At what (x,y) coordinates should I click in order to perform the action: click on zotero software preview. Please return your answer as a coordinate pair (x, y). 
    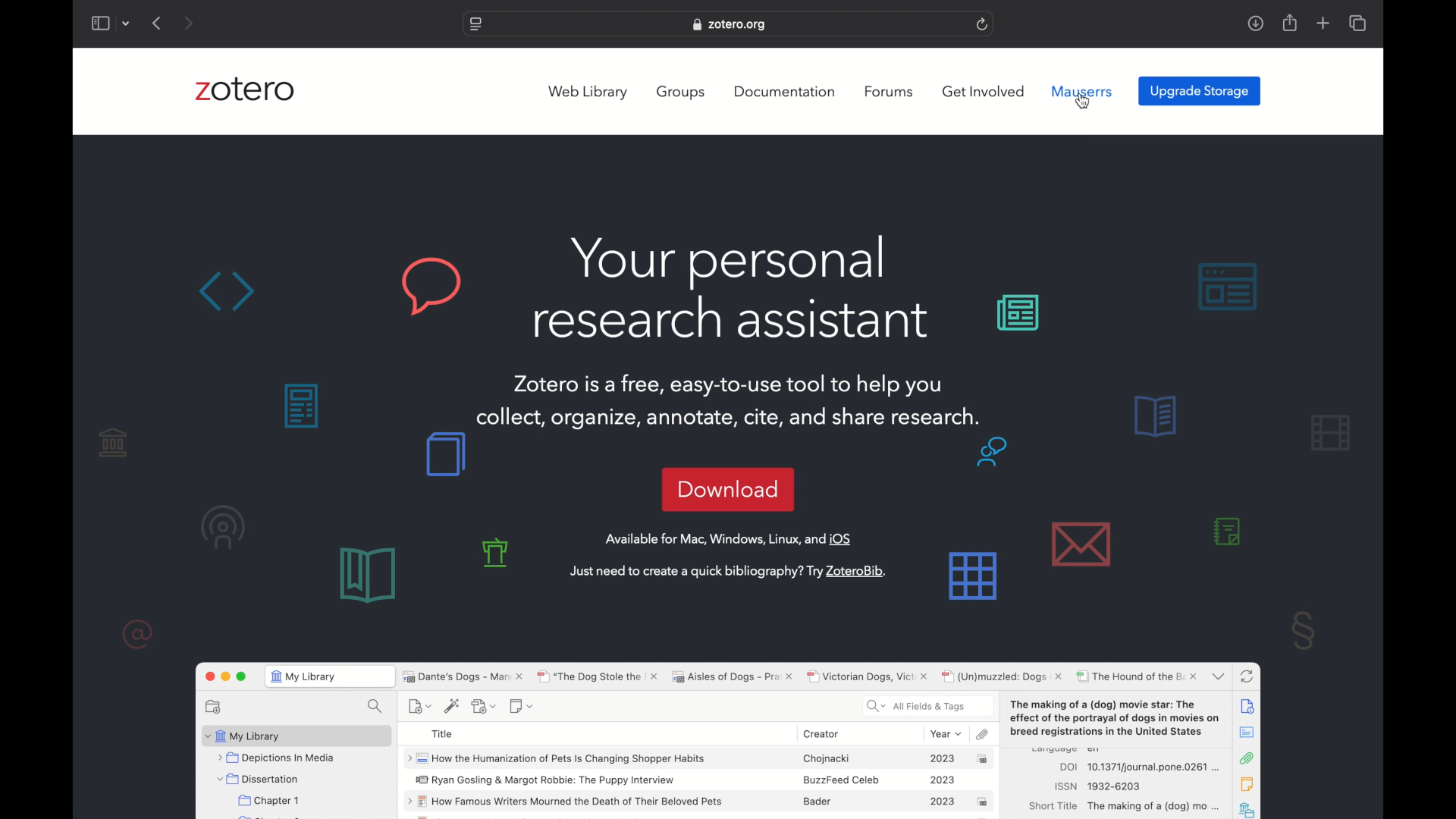
    Looking at the image, I should click on (727, 736).